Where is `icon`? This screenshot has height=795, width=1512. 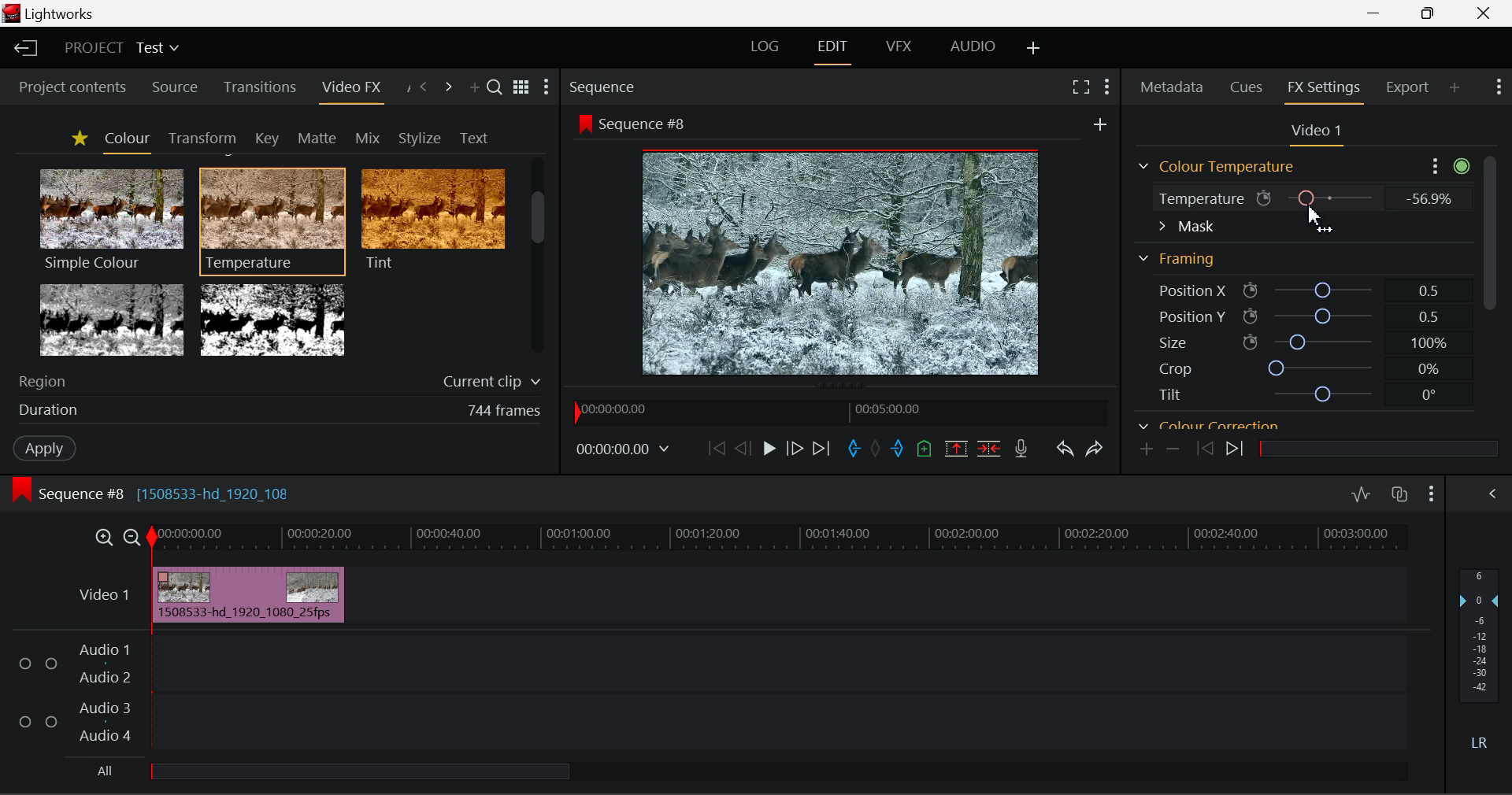
icon is located at coordinates (1251, 291).